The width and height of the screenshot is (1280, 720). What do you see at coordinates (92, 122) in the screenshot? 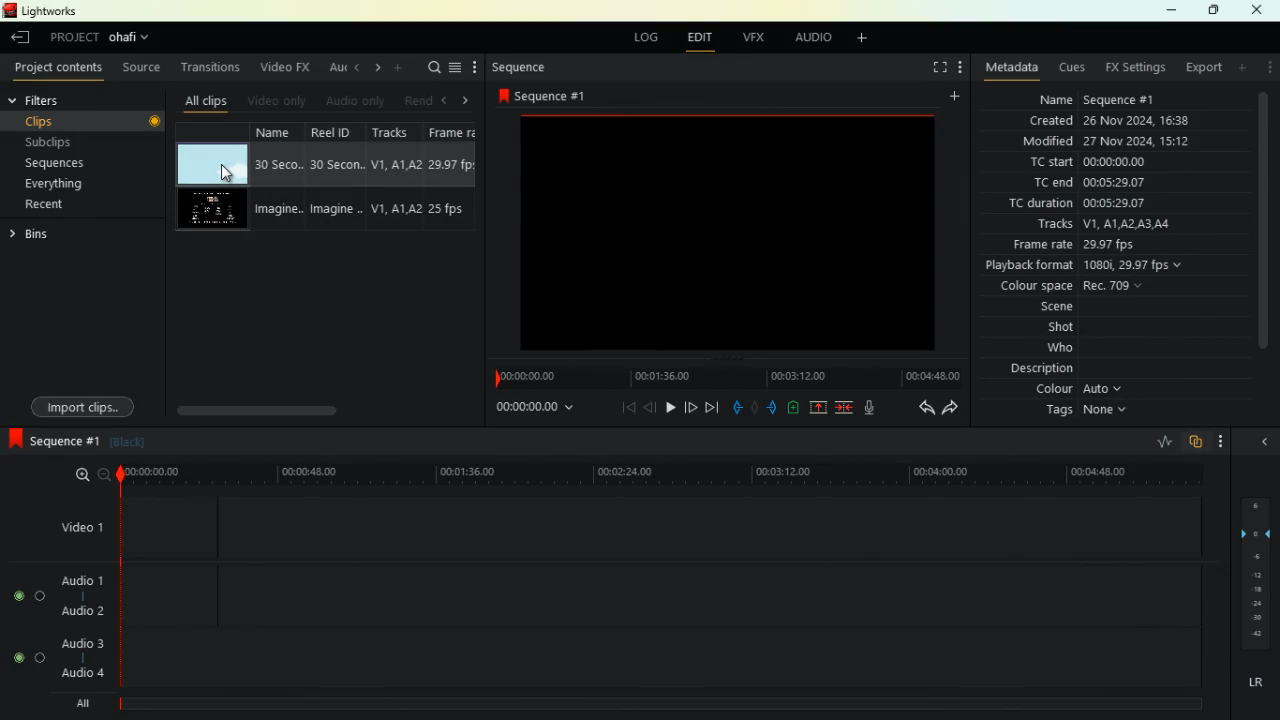
I see `clips` at bounding box center [92, 122].